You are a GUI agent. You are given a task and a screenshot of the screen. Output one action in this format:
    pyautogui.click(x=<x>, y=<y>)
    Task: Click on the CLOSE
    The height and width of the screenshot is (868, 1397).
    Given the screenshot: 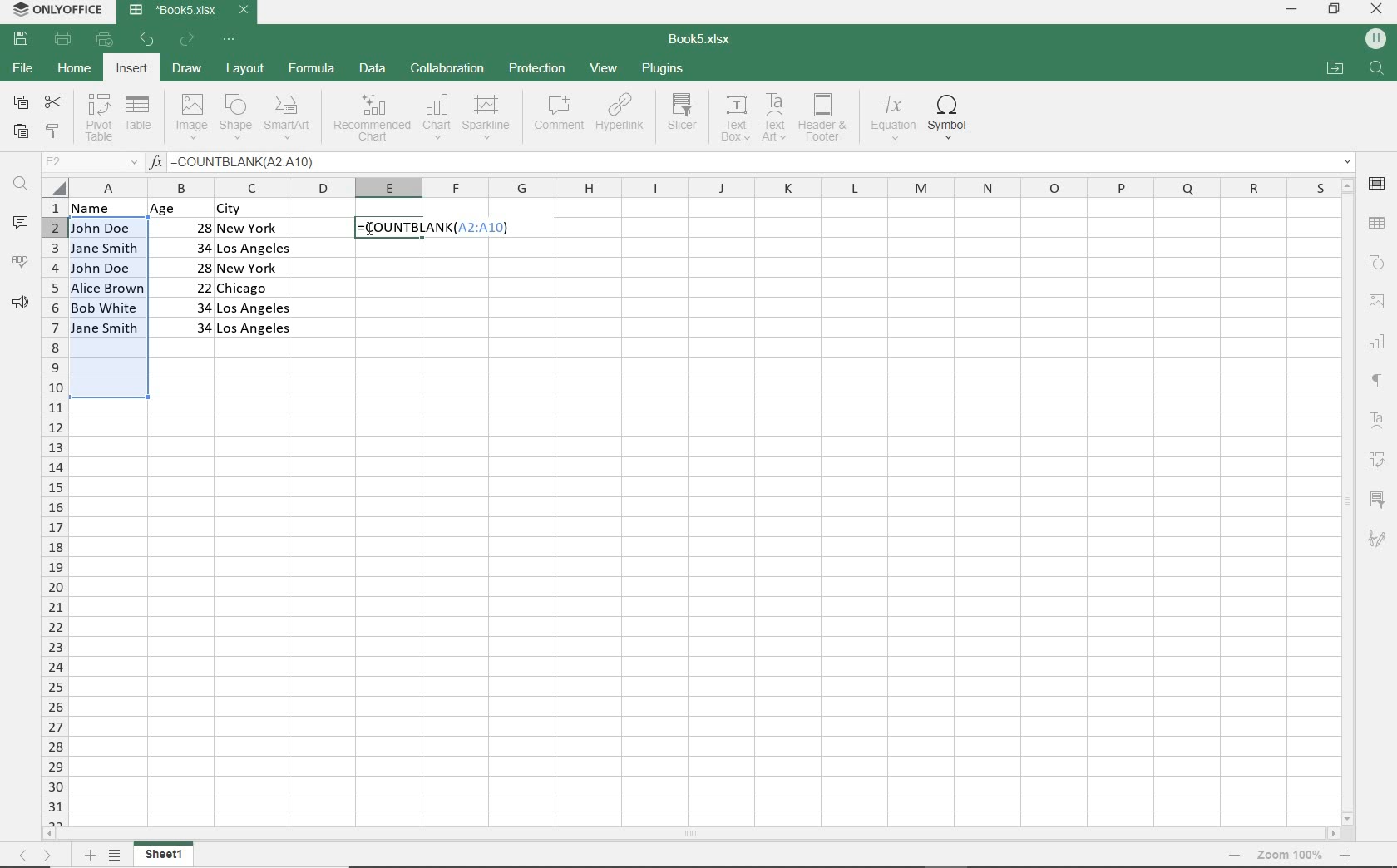 What is the action you would take?
    pyautogui.click(x=1377, y=8)
    